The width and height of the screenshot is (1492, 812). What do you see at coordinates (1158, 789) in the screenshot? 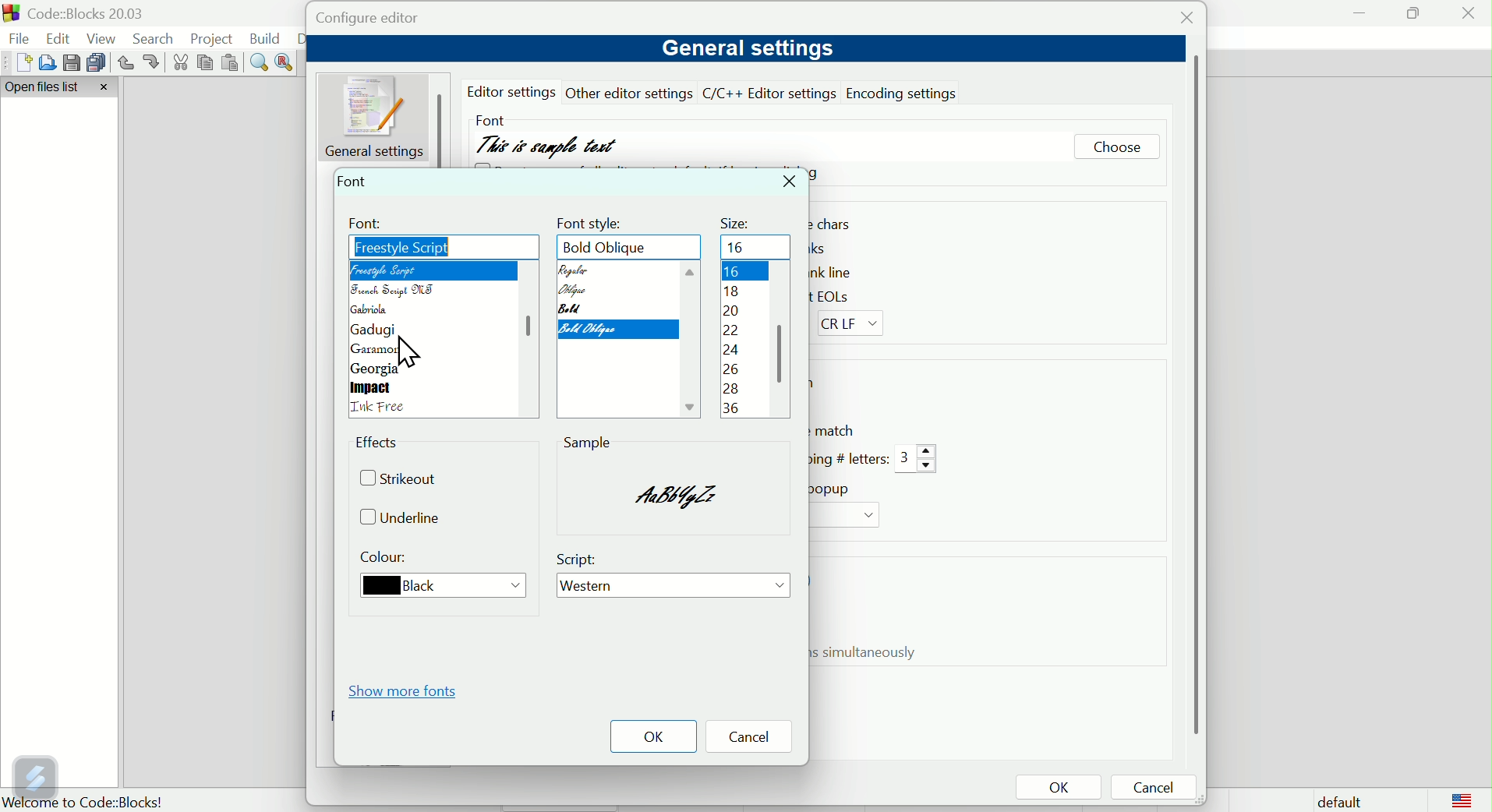
I see `Cancel` at bounding box center [1158, 789].